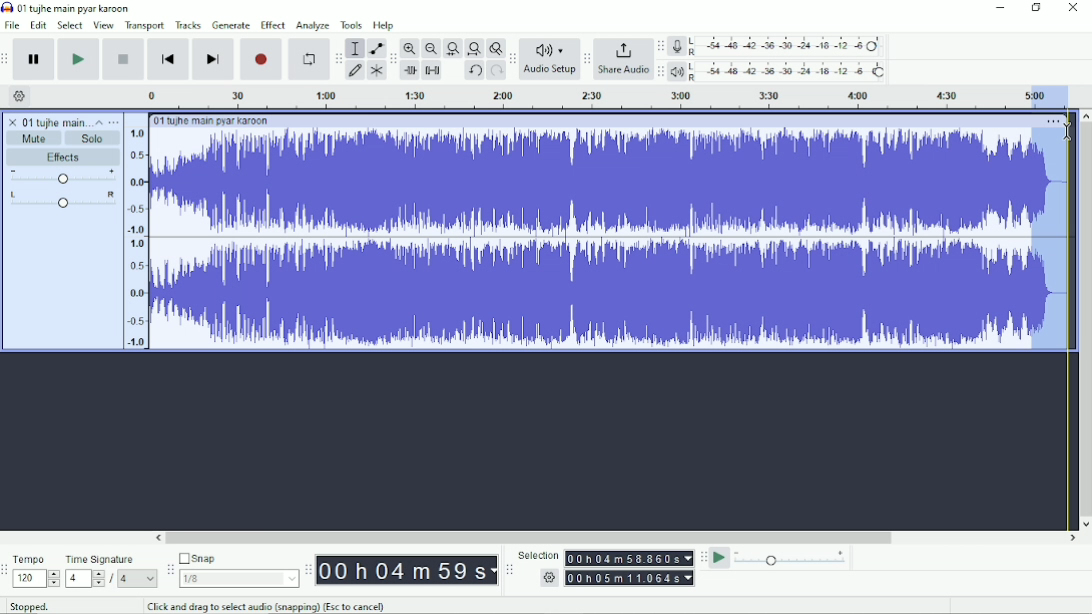 Image resolution: width=1092 pixels, height=614 pixels. I want to click on Time signature, so click(111, 559).